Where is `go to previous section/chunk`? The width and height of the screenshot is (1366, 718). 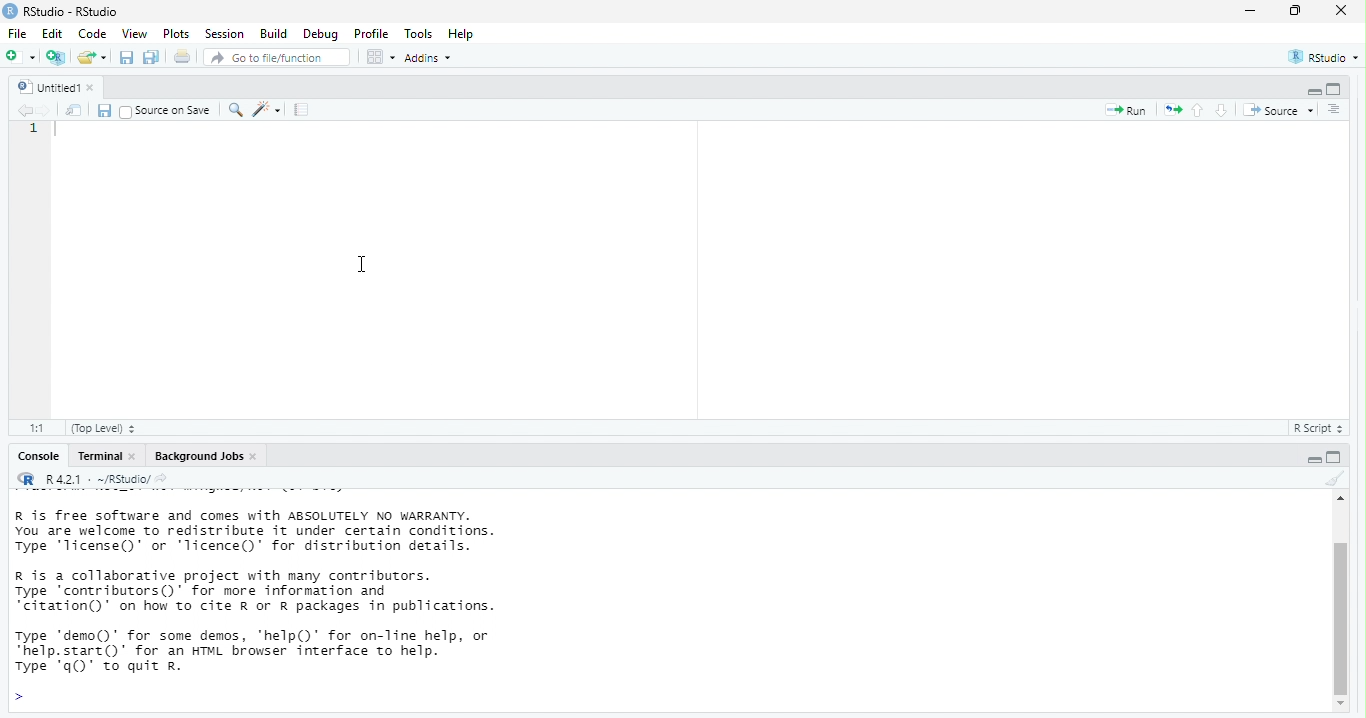 go to previous section/chunk is located at coordinates (1199, 108).